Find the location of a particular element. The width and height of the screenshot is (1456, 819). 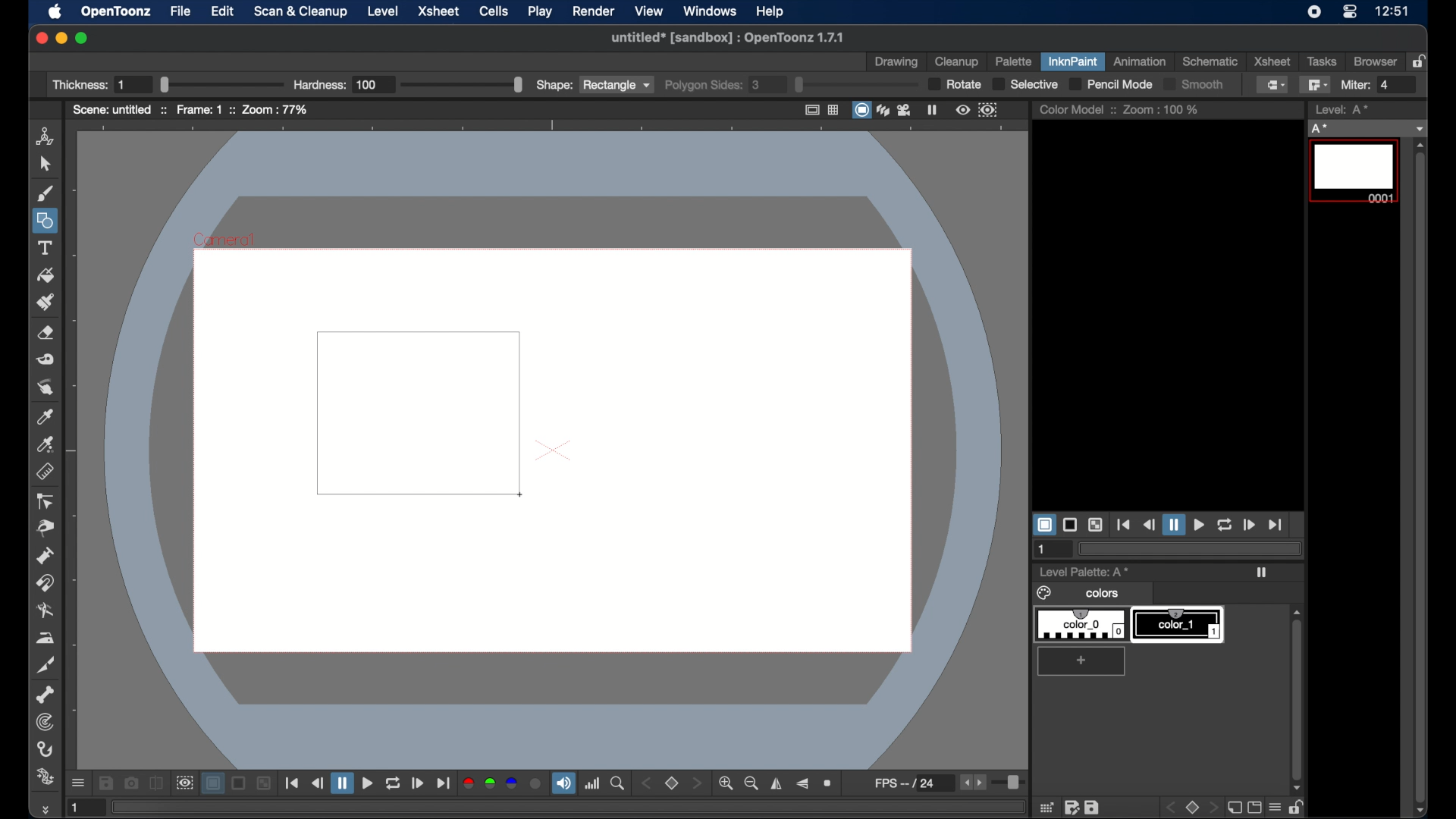

rewind is located at coordinates (1148, 525).